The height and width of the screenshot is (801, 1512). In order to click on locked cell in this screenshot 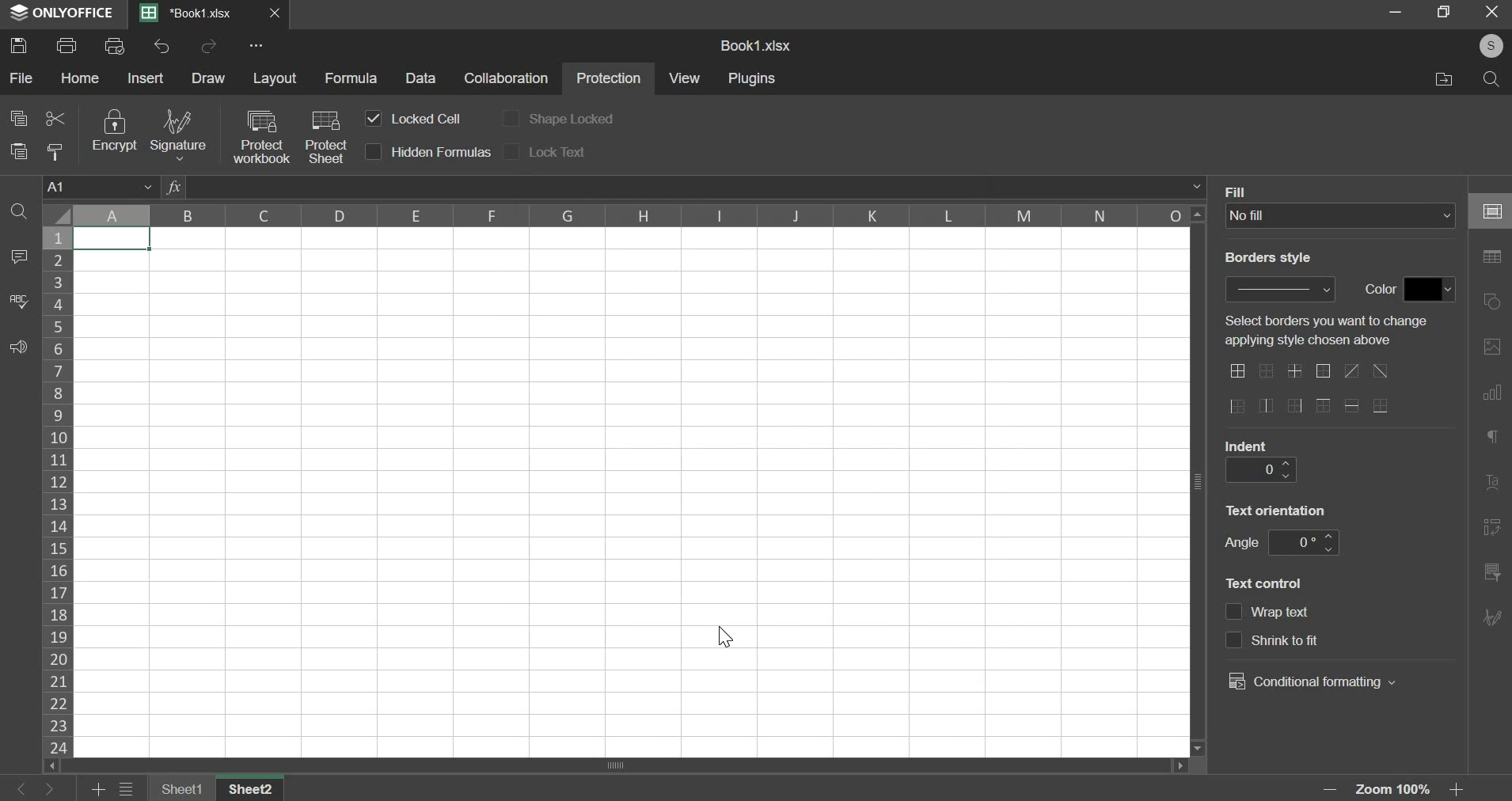, I will do `click(424, 118)`.